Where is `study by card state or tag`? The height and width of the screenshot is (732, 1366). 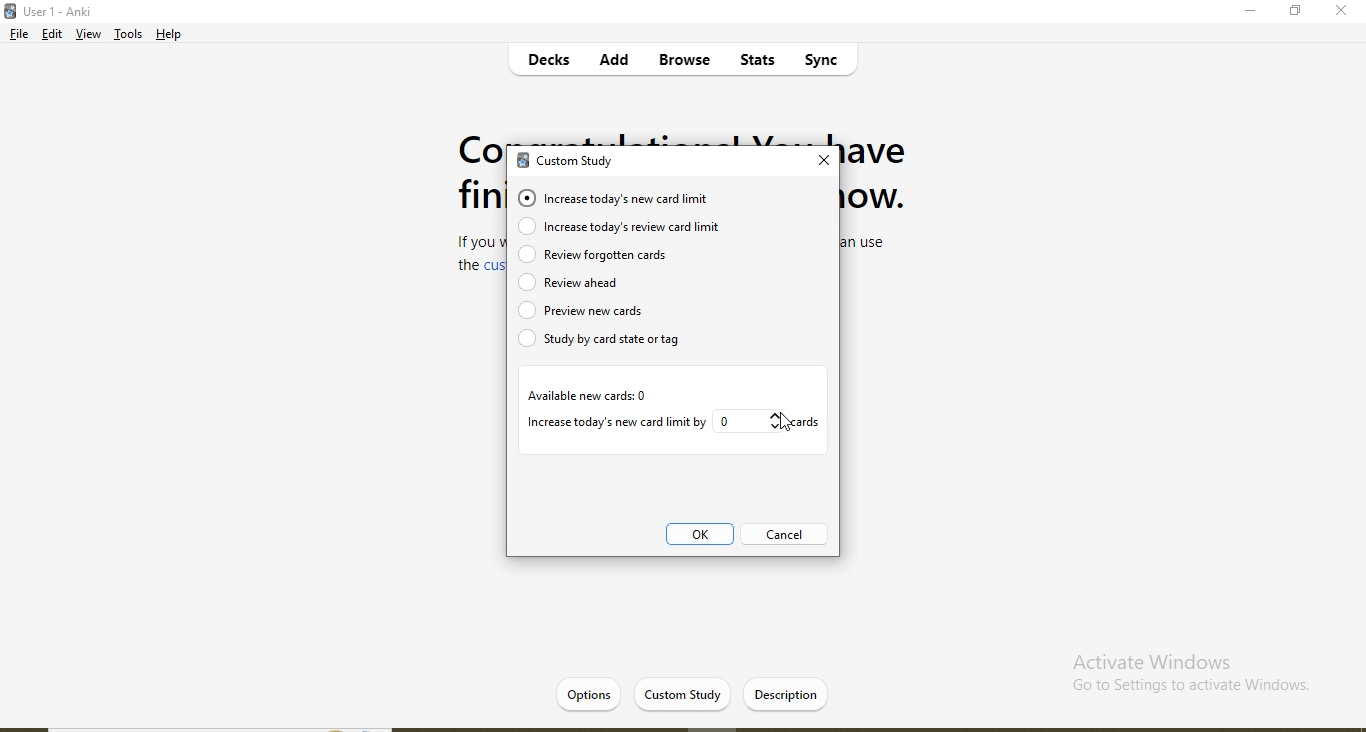 study by card state or tag is located at coordinates (613, 342).